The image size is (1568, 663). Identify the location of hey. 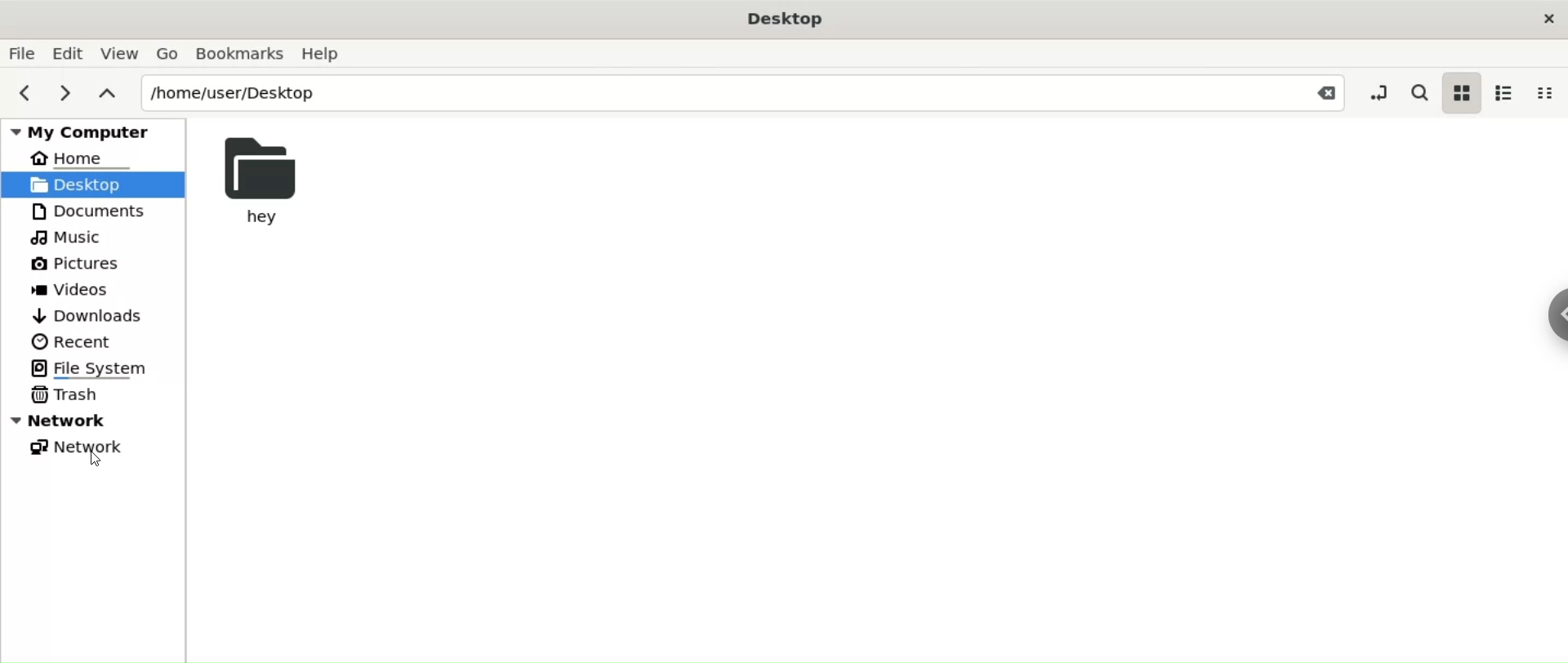
(255, 180).